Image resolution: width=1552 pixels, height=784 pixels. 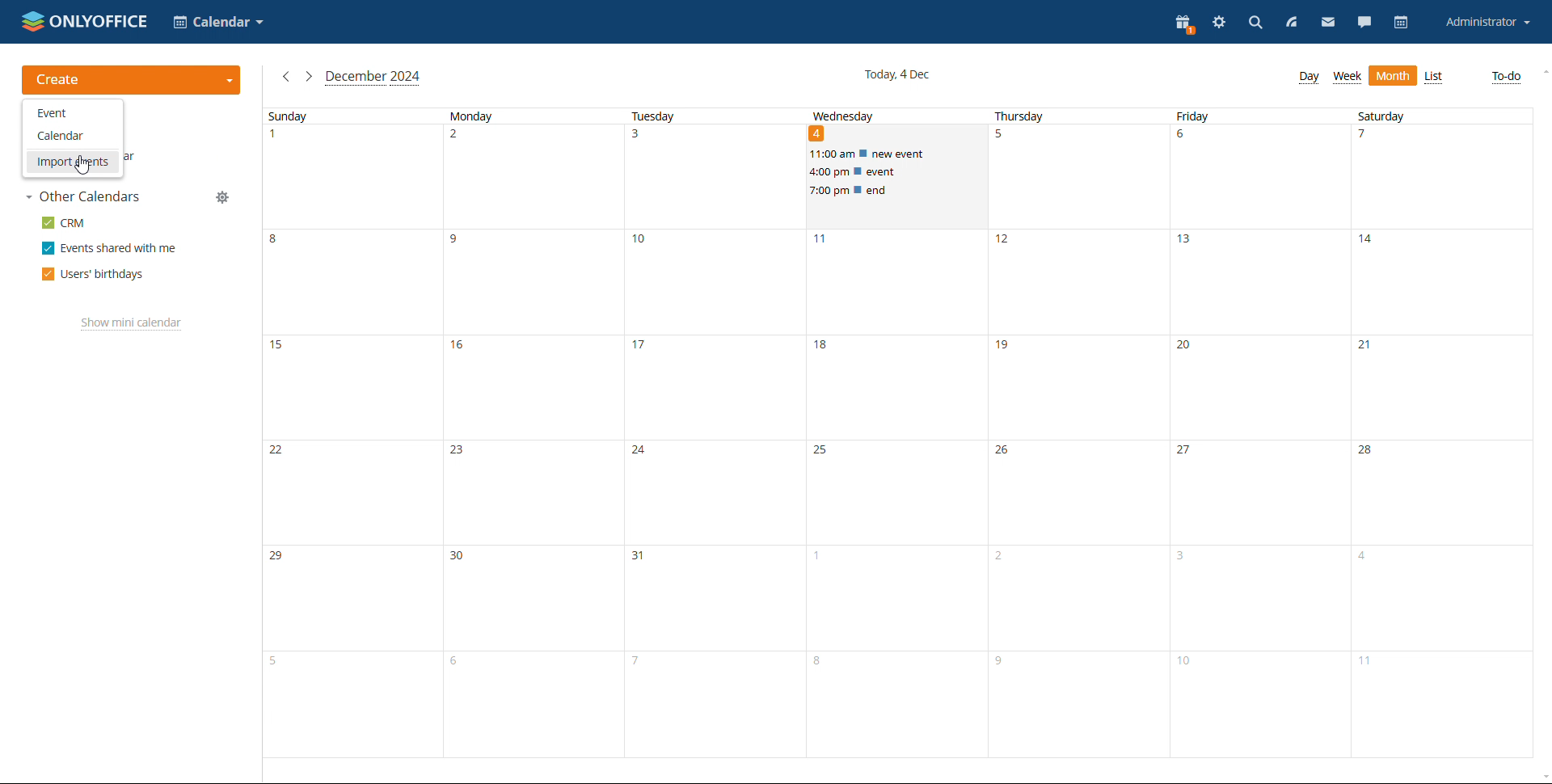 I want to click on users' birthdays, so click(x=93, y=275).